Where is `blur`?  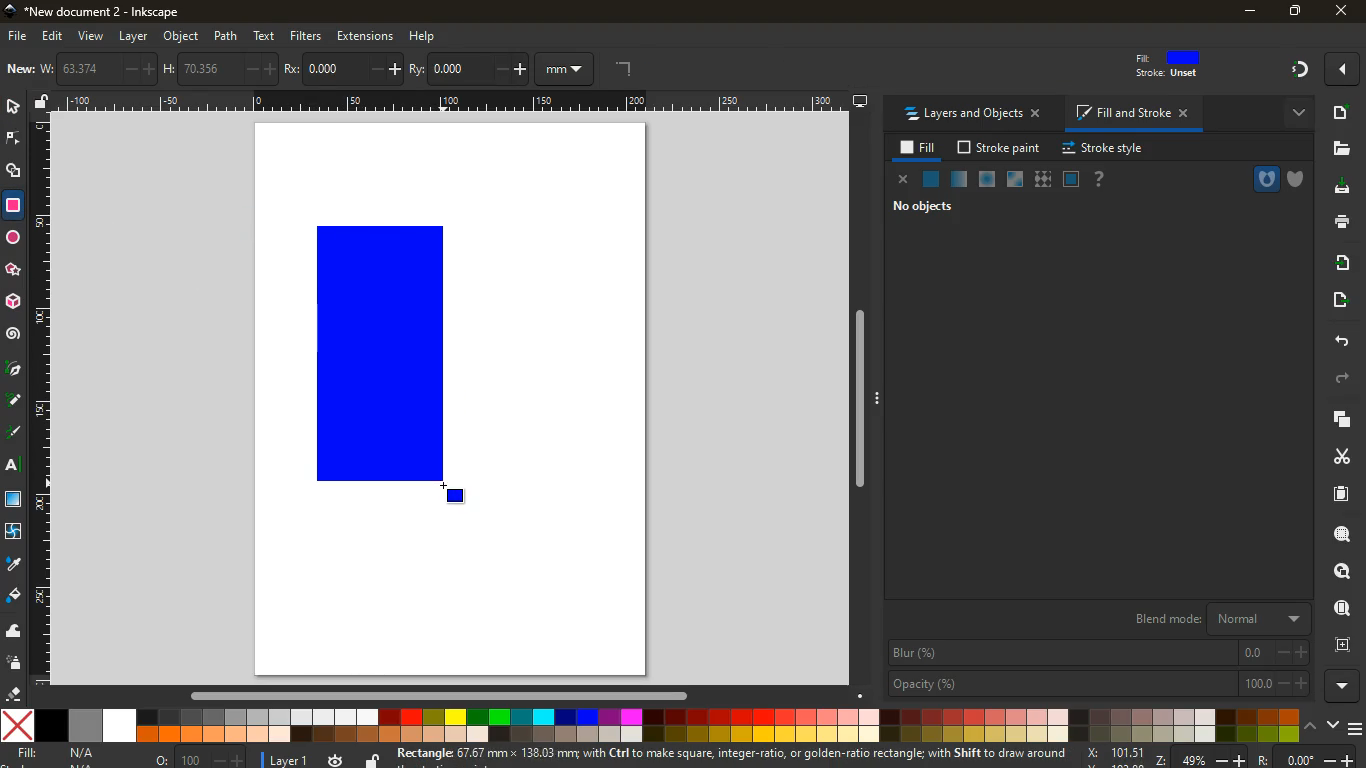 blur is located at coordinates (1100, 652).